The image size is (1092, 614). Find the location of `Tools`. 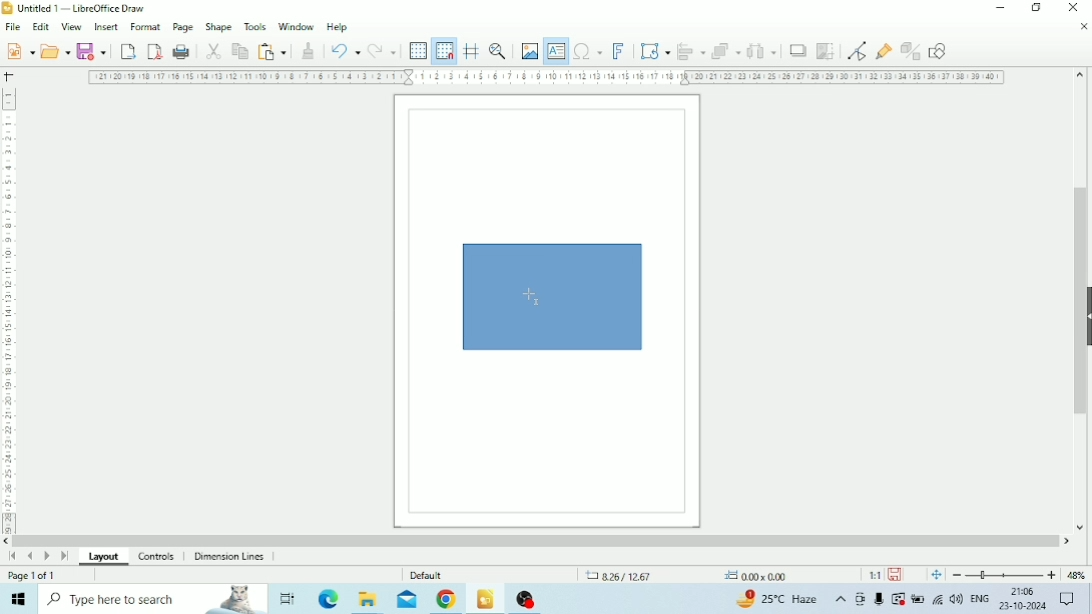

Tools is located at coordinates (255, 26).